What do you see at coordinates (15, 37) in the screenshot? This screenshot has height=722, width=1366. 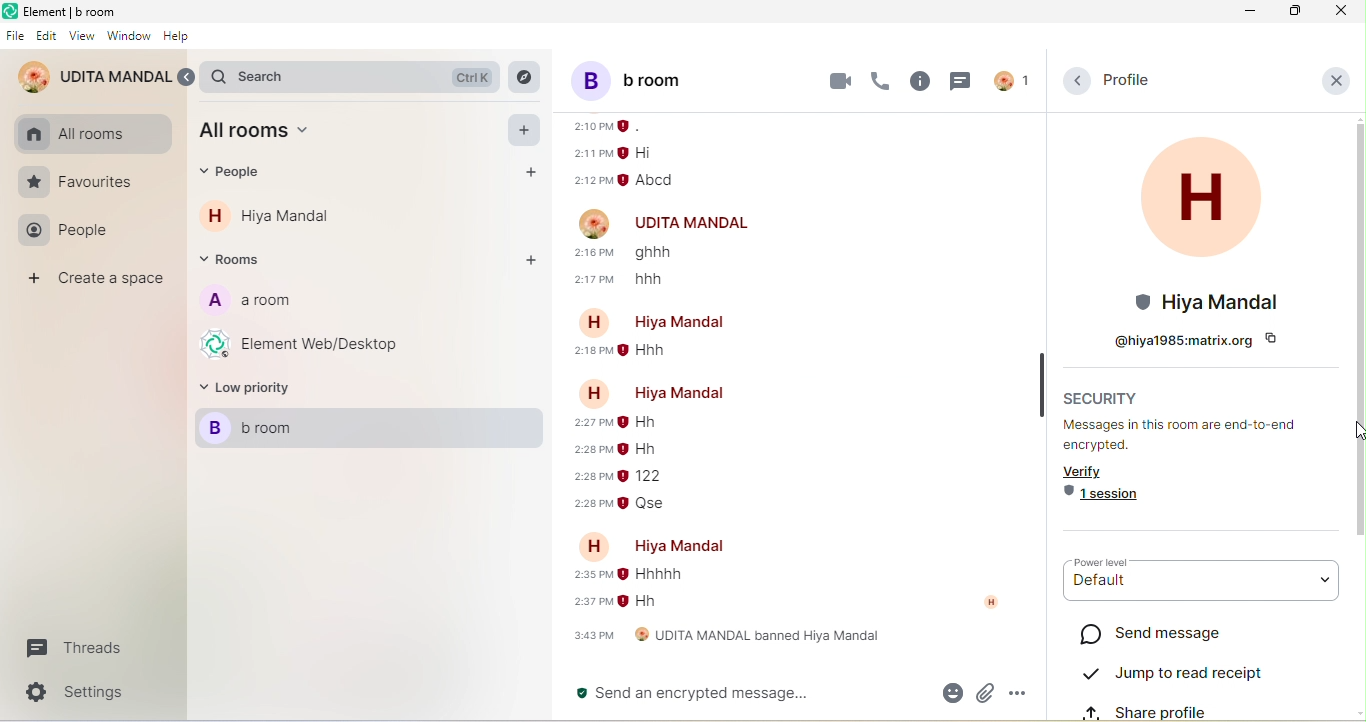 I see `file` at bounding box center [15, 37].